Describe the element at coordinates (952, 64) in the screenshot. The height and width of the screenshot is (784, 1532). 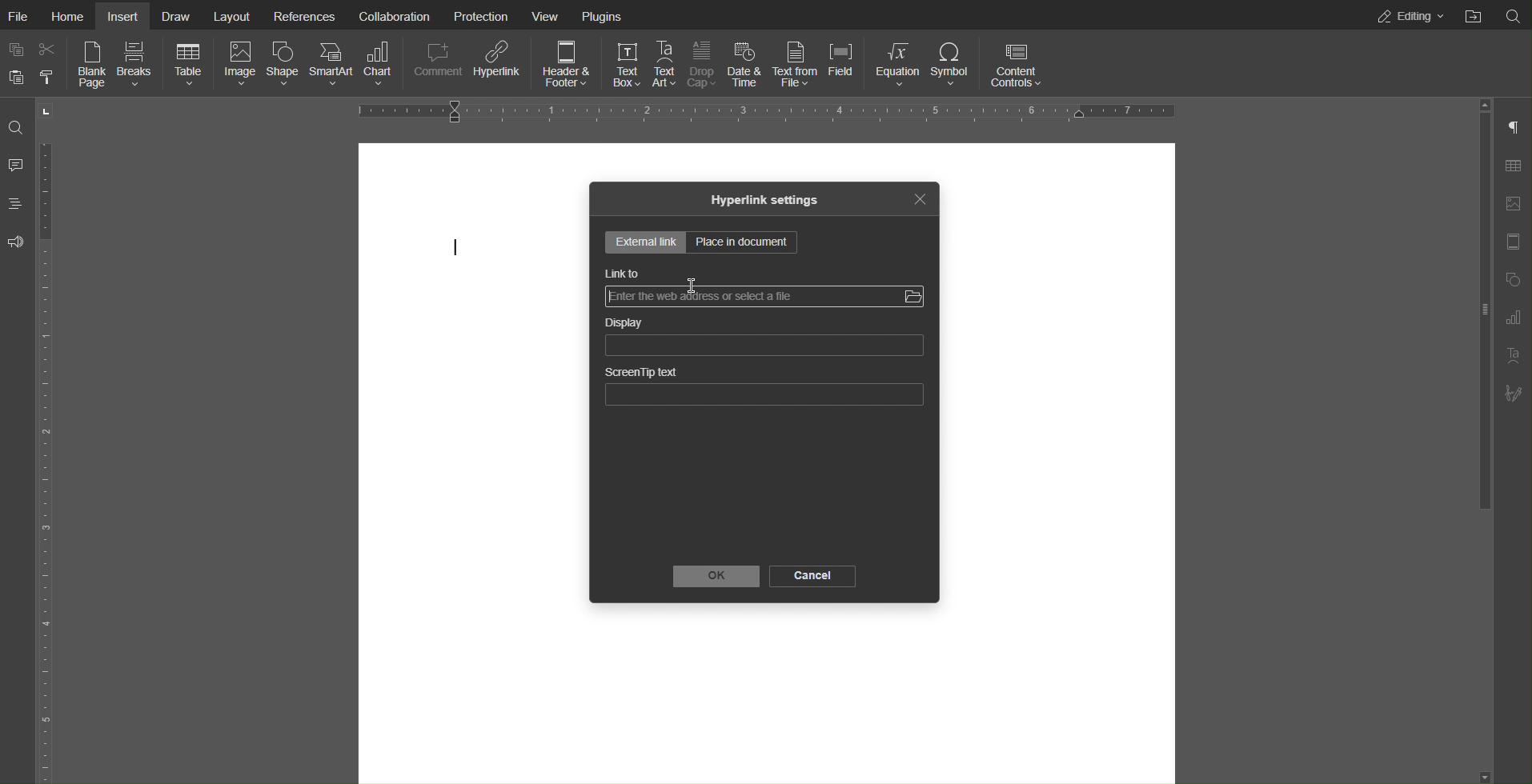
I see `Symbol` at that location.